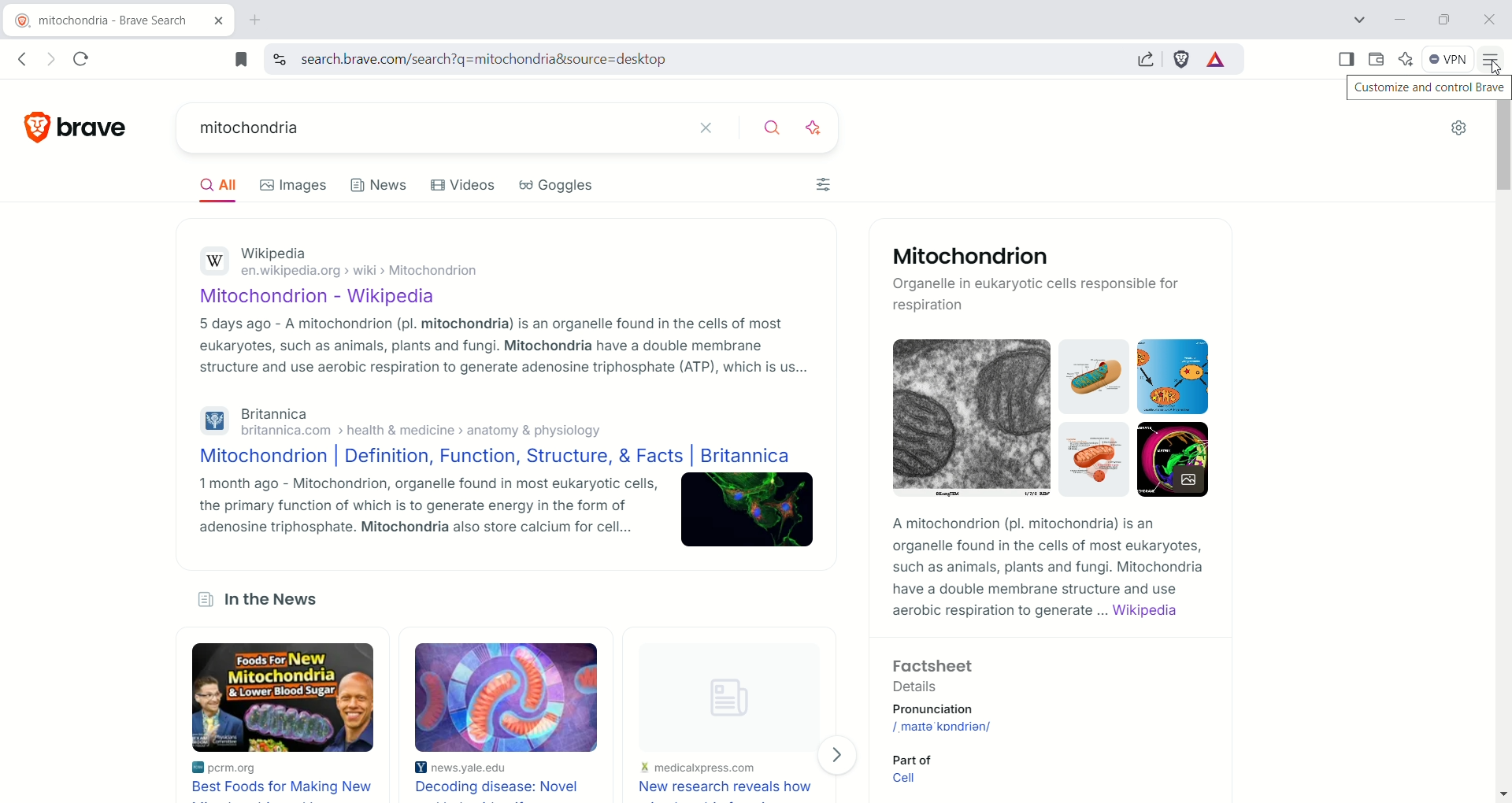 This screenshot has height=803, width=1512. I want to click on mitochondria images, so click(1057, 413).